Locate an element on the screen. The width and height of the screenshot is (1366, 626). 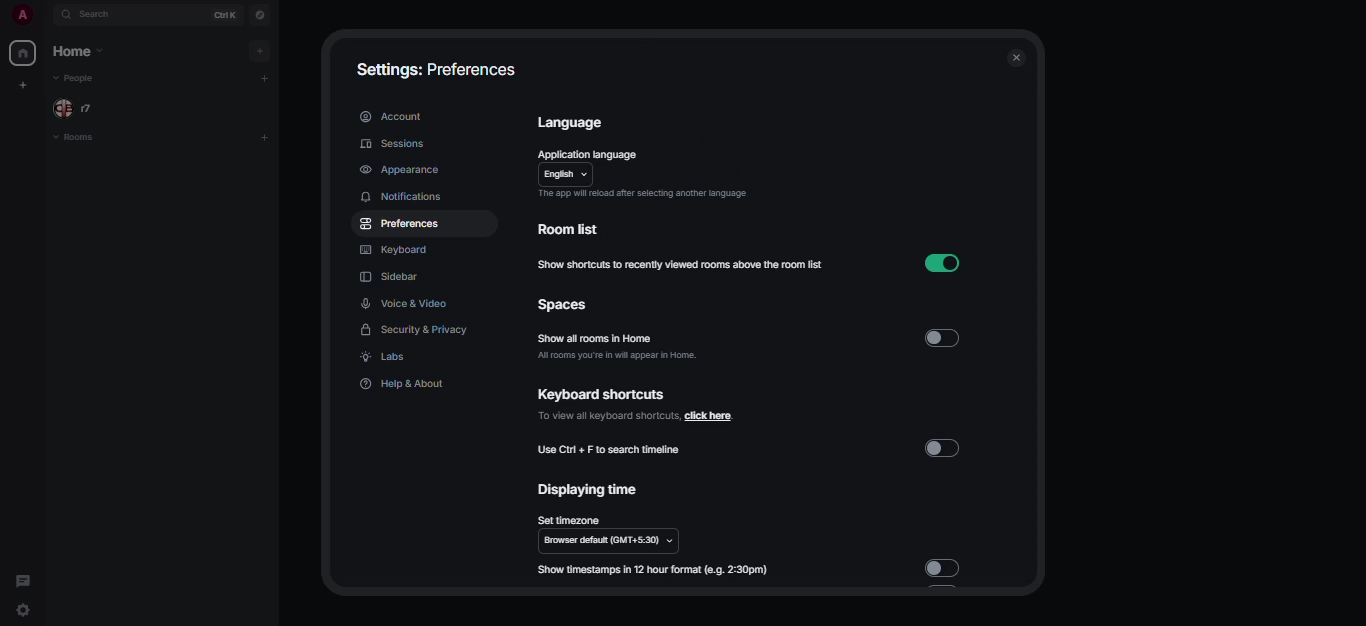
keyboard shortcuts is located at coordinates (601, 394).